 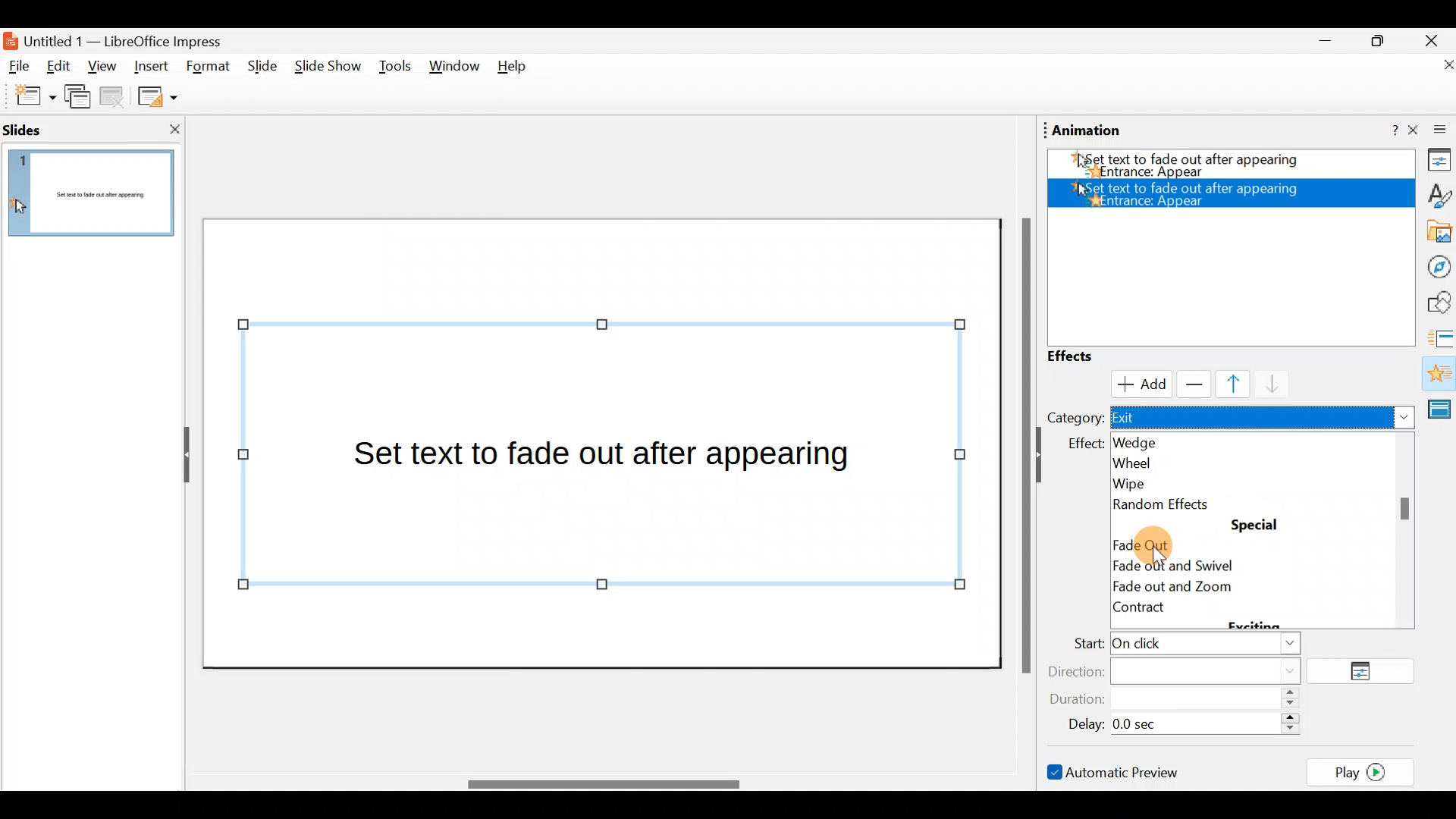 What do you see at coordinates (1437, 303) in the screenshot?
I see `Shapes` at bounding box center [1437, 303].